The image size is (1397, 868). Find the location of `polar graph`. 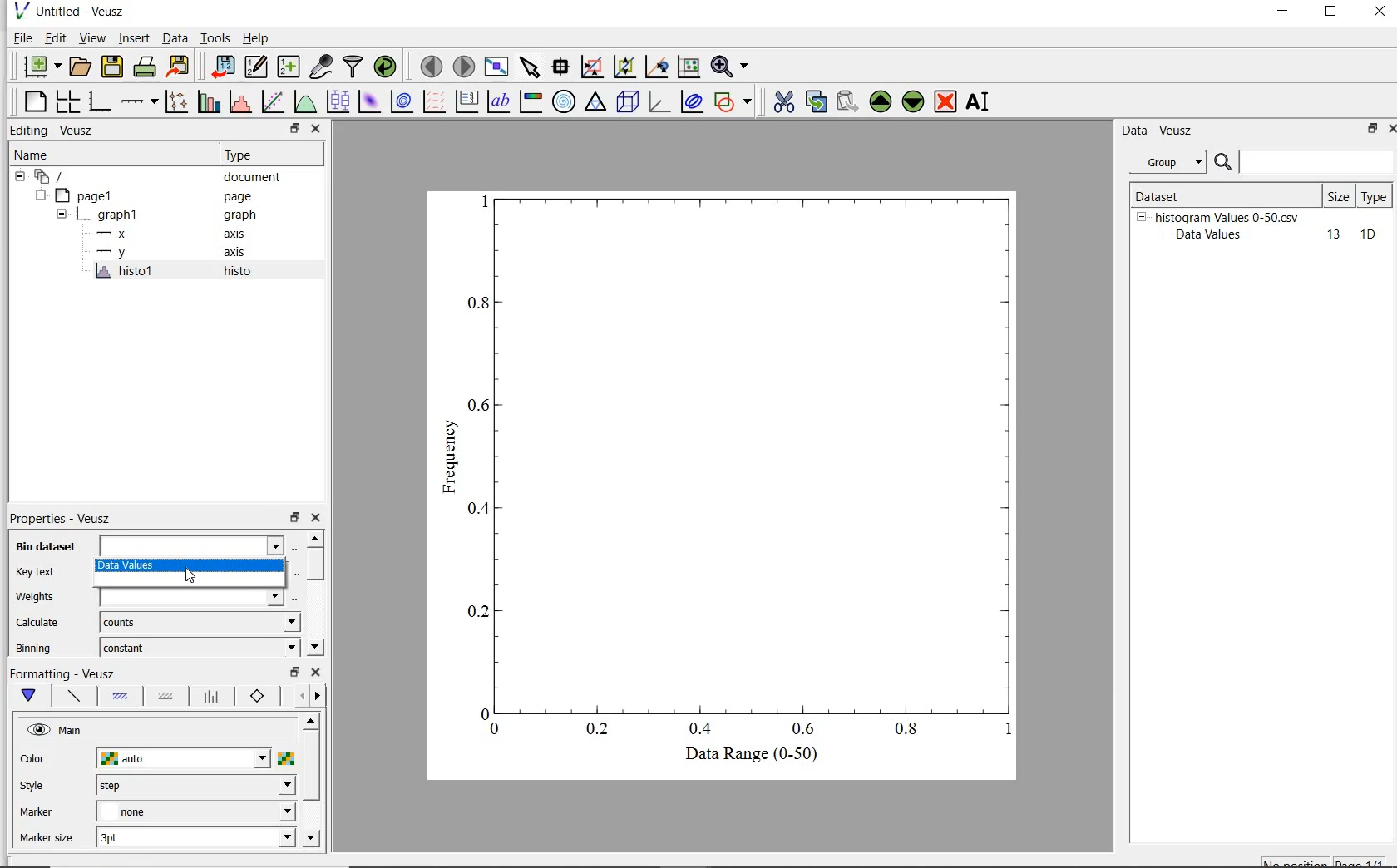

polar graph is located at coordinates (564, 101).